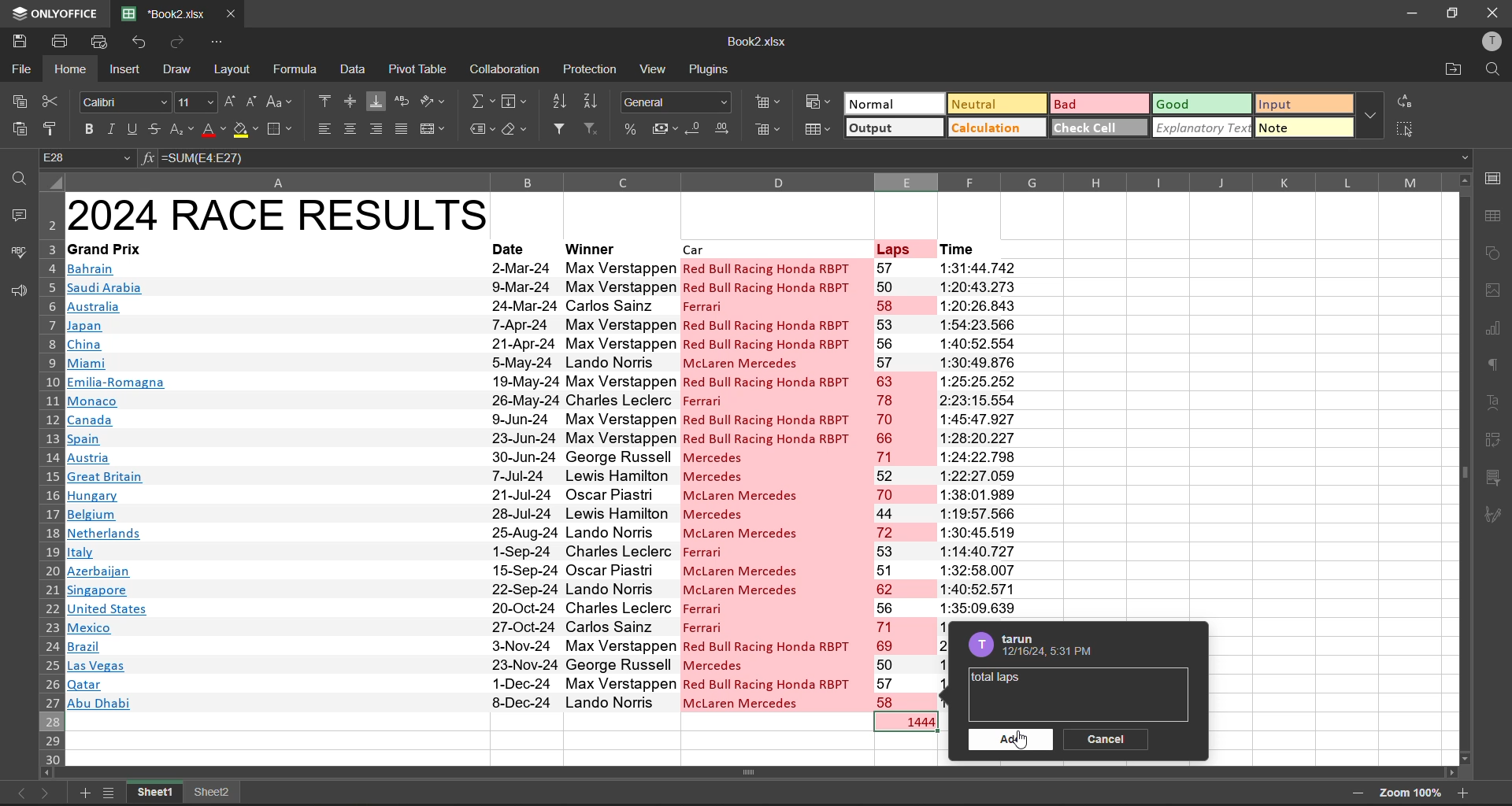  Describe the element at coordinates (507, 70) in the screenshot. I see `collaboration` at that location.